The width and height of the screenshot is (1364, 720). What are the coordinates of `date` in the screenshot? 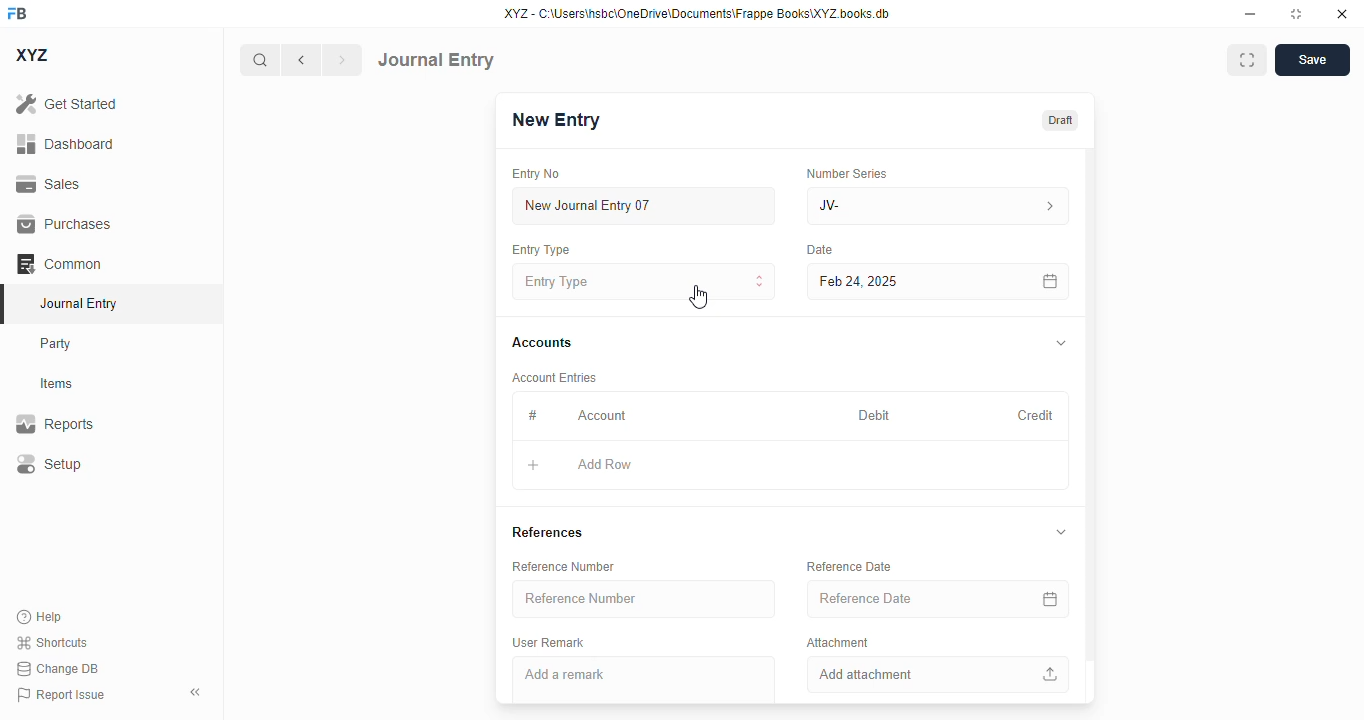 It's located at (820, 250).